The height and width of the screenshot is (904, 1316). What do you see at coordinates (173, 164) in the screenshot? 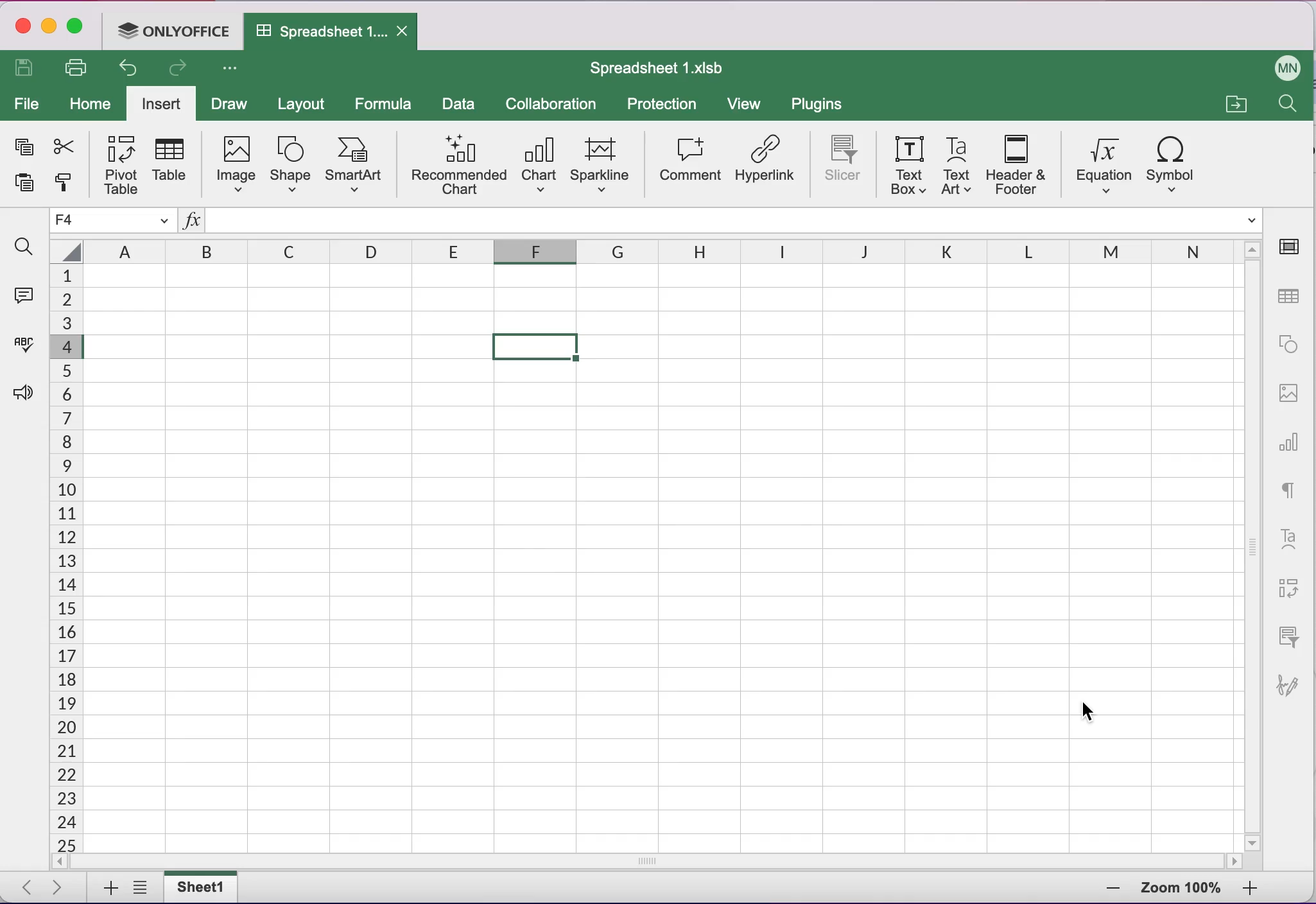
I see `table` at bounding box center [173, 164].